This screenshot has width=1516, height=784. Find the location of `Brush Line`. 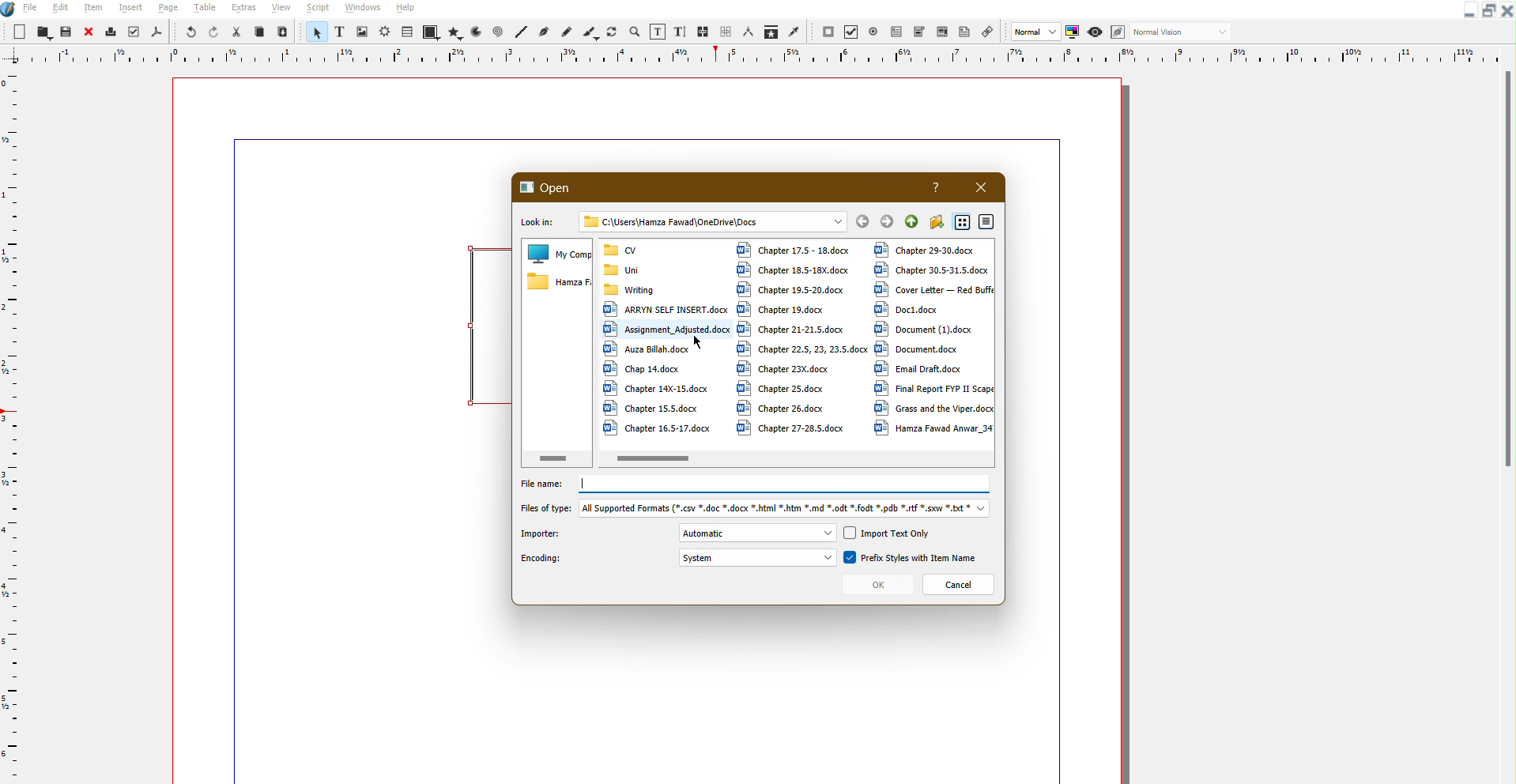

Brush Line is located at coordinates (590, 31).